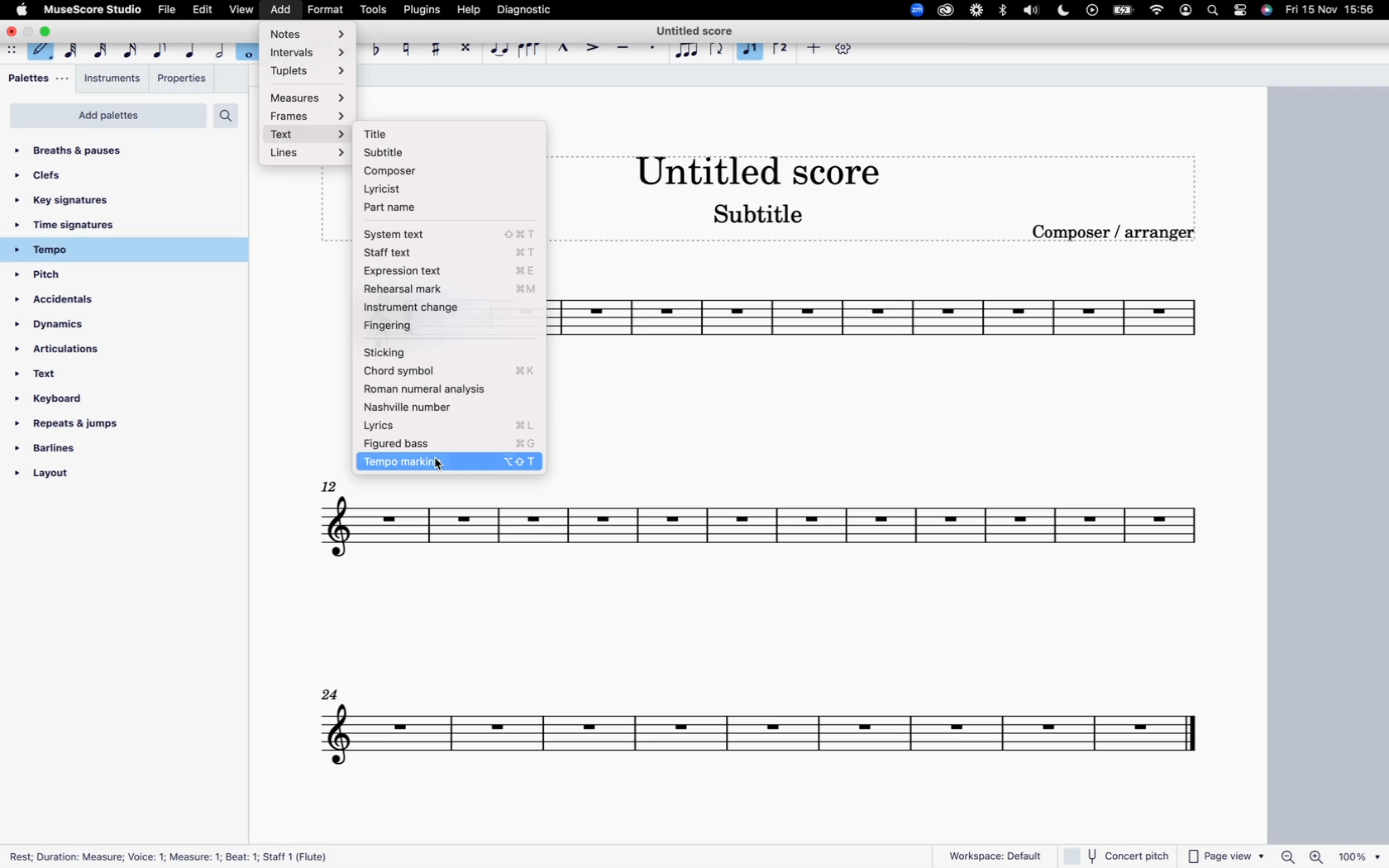  I want to click on bluetooth, so click(1004, 11).